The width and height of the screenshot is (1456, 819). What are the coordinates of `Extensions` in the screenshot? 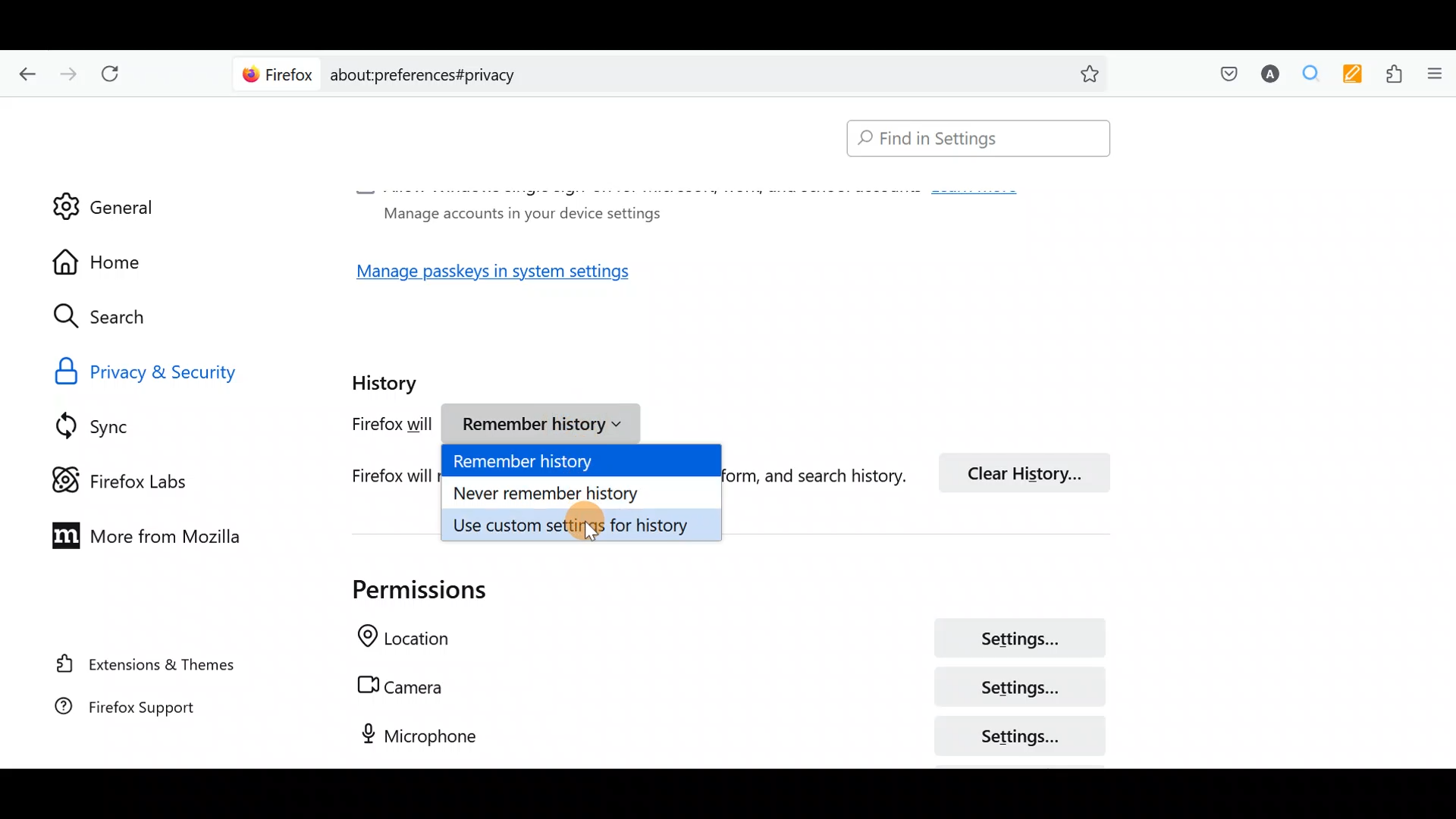 It's located at (1390, 74).